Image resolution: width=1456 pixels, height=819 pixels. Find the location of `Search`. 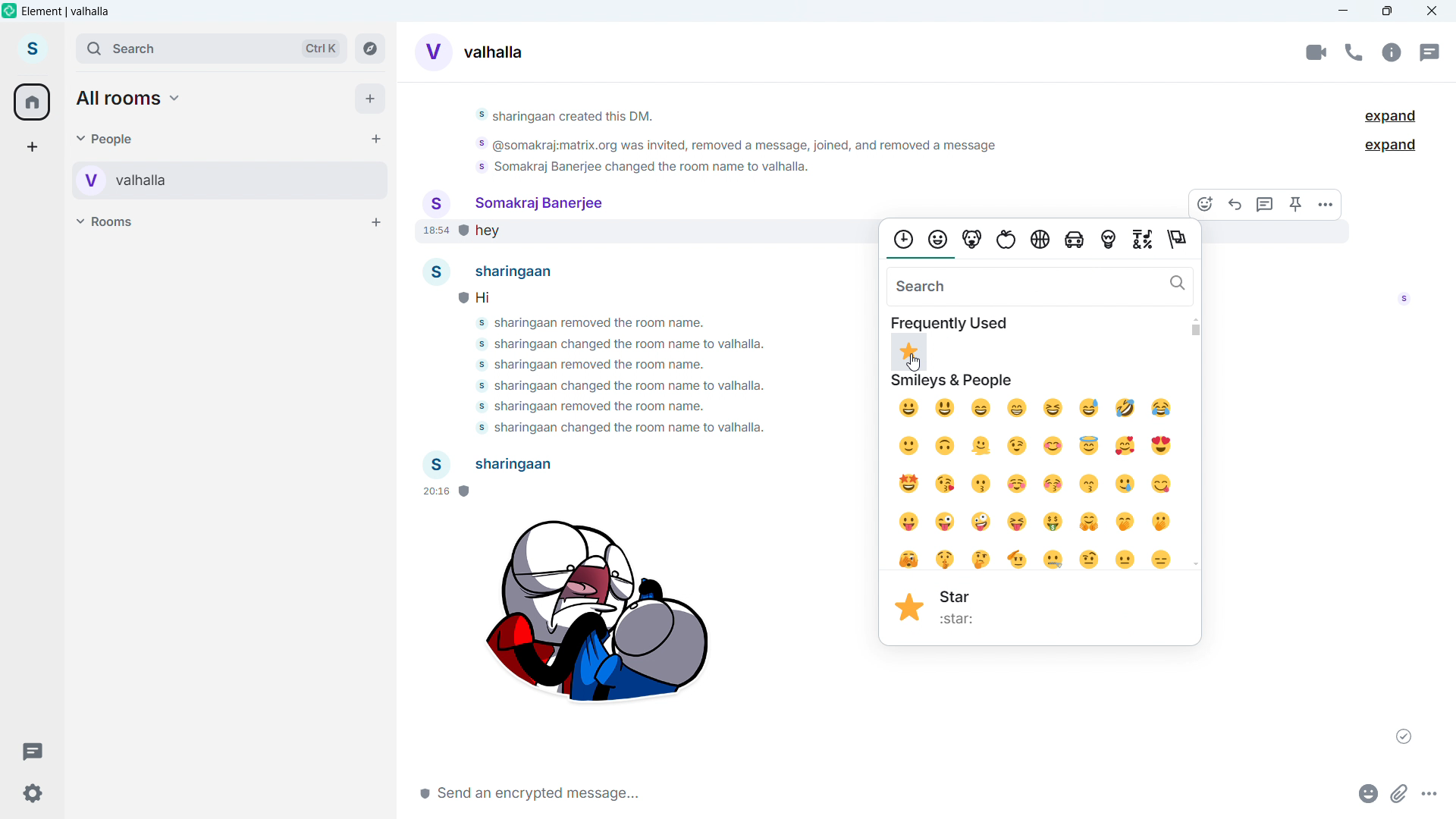

Search is located at coordinates (211, 49).